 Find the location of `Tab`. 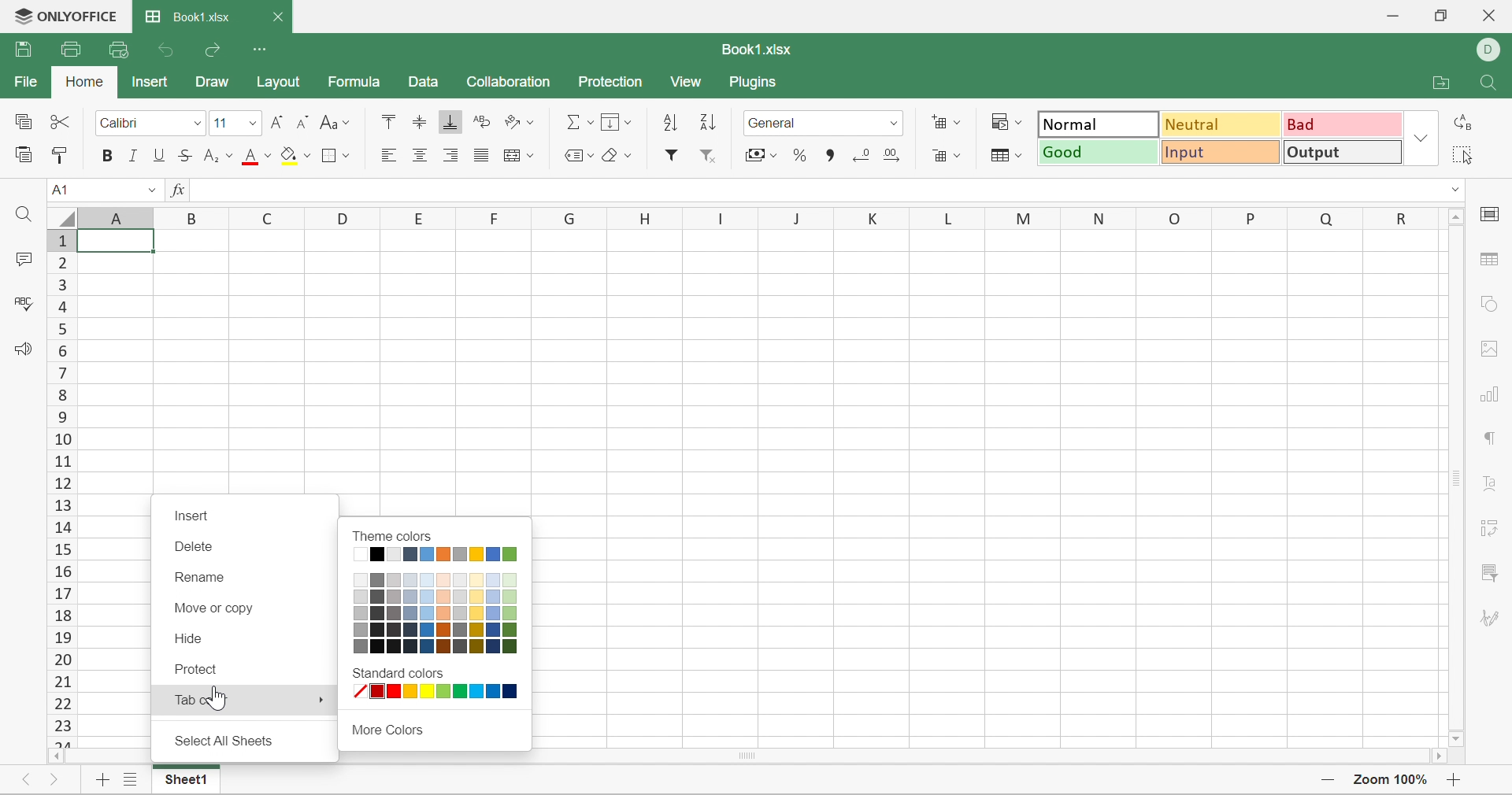

Tab is located at coordinates (179, 700).